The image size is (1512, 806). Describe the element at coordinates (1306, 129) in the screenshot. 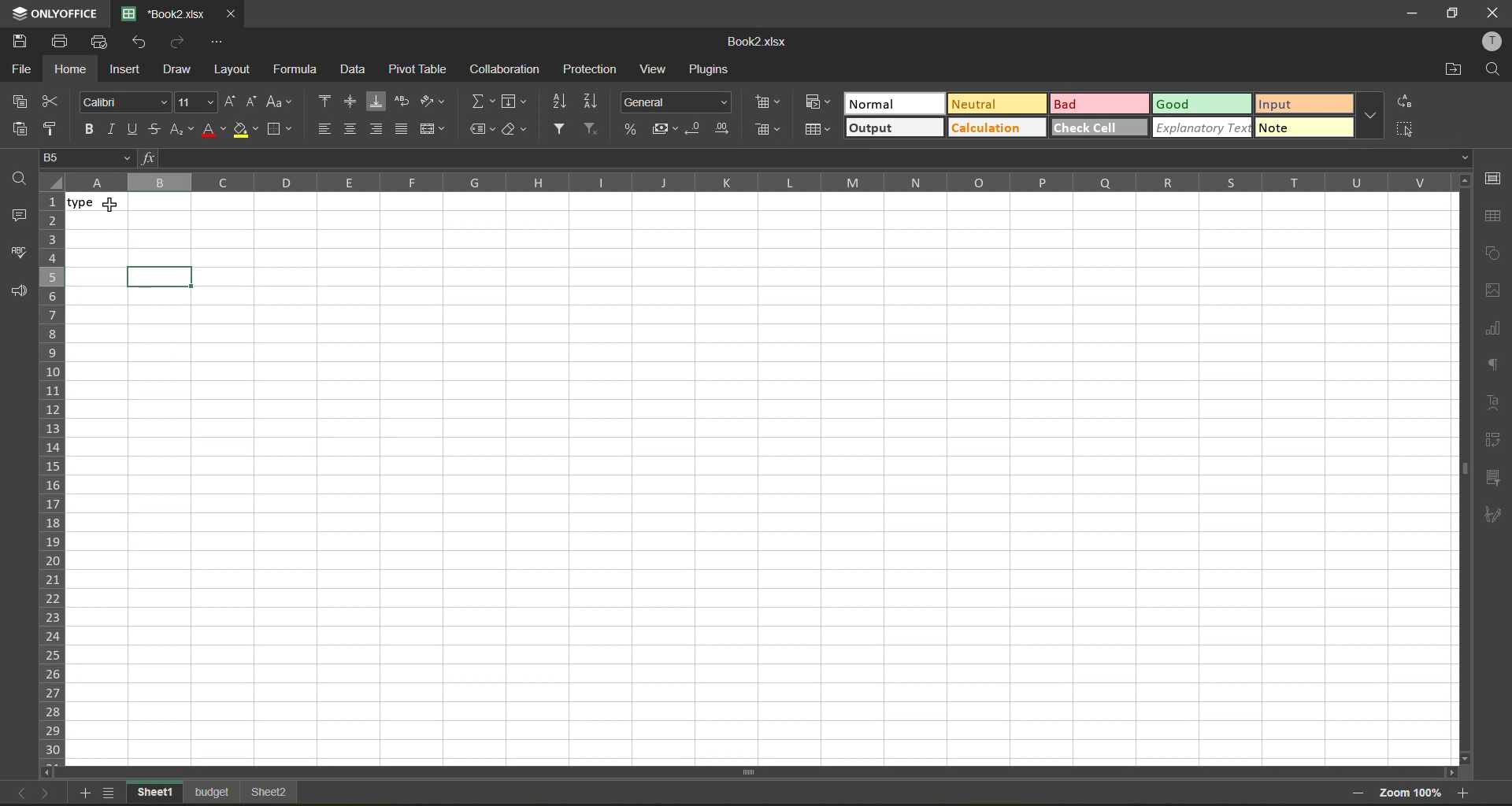

I see `note` at that location.